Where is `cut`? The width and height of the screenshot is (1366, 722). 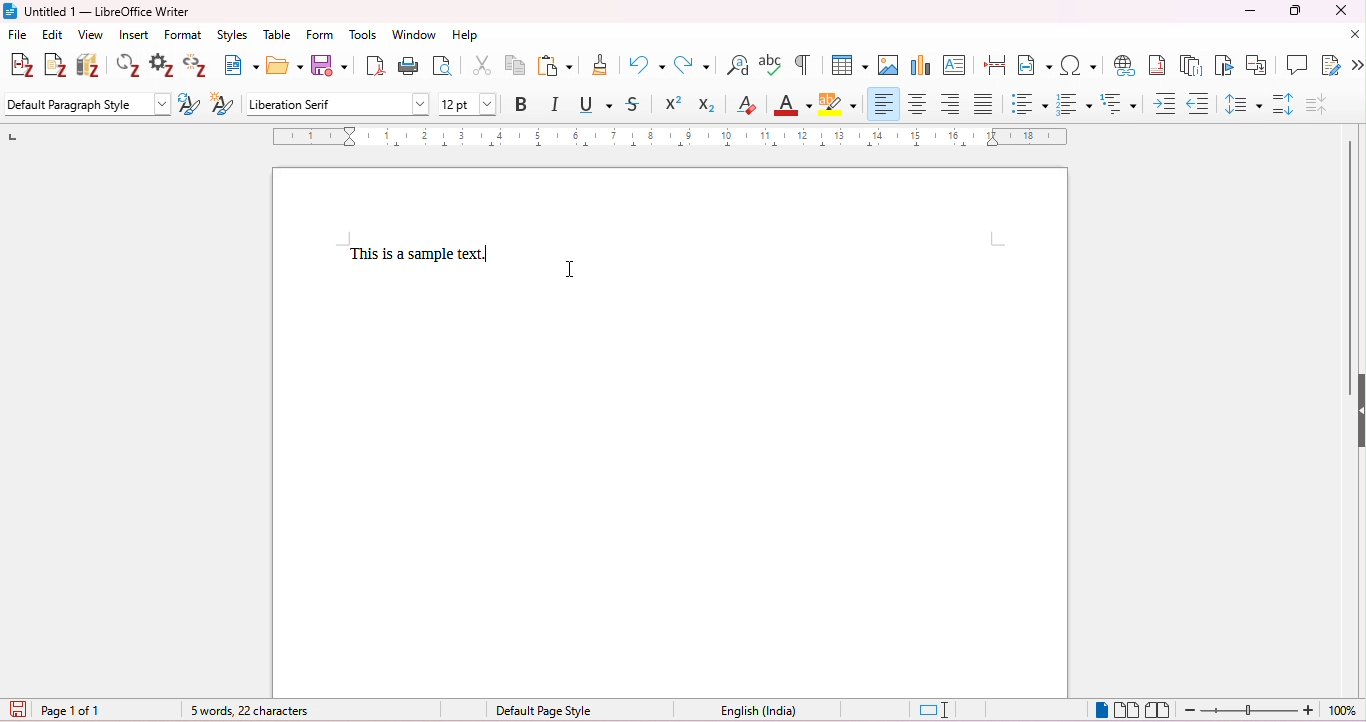
cut is located at coordinates (480, 65).